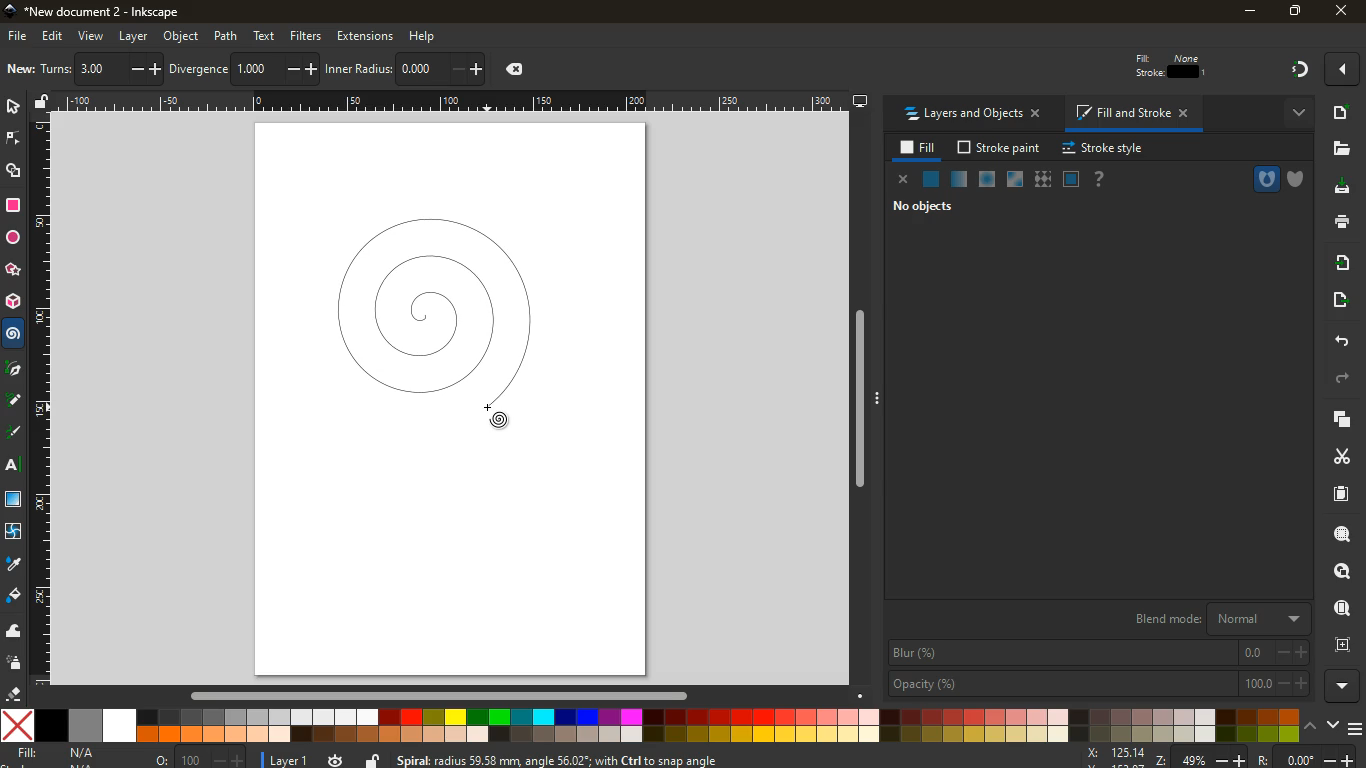 Image resolution: width=1366 pixels, height=768 pixels. Describe the element at coordinates (442, 69) in the screenshot. I see `graph` at that location.